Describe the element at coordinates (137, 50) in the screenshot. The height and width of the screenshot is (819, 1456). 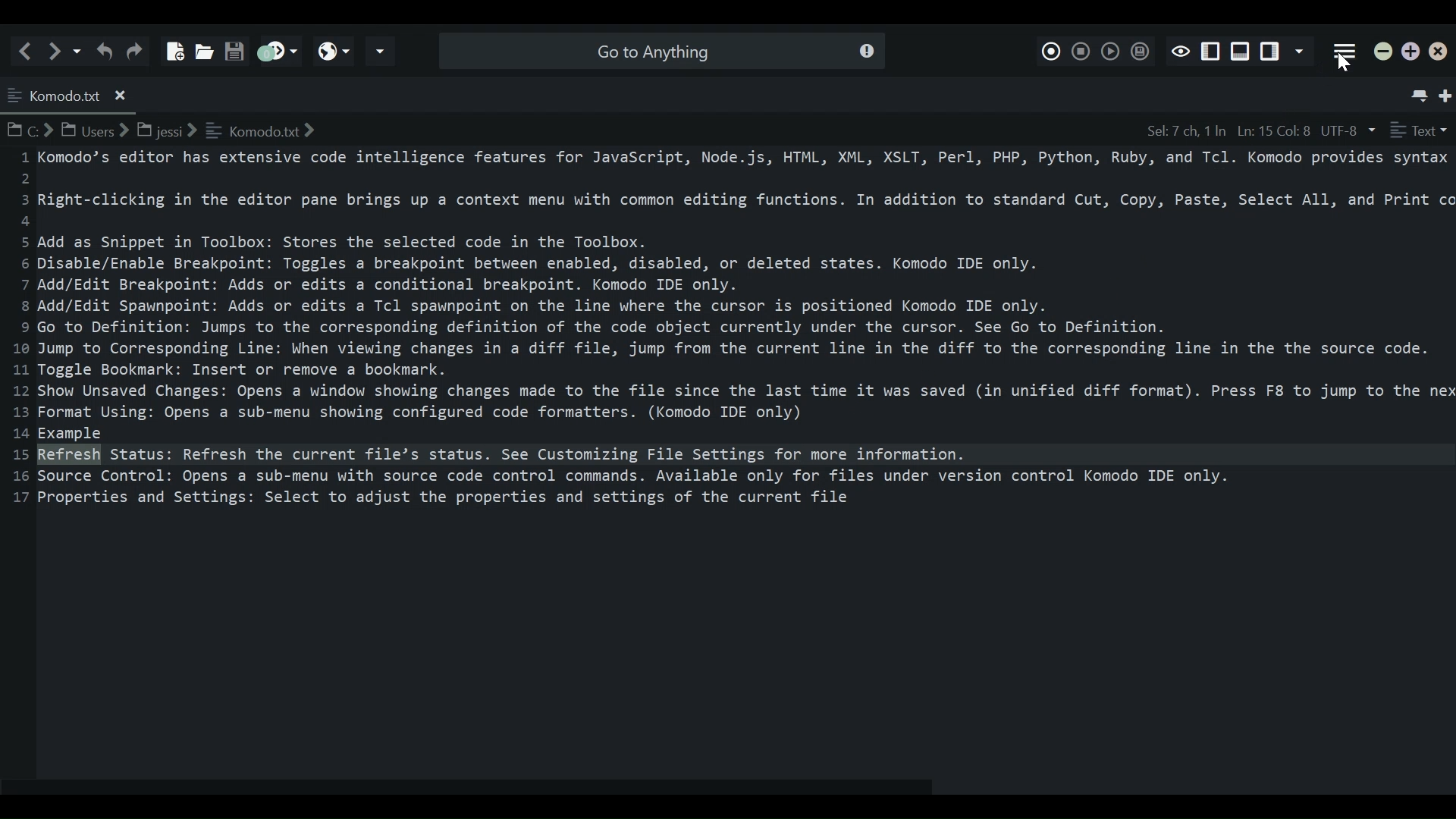
I see `Redo` at that location.